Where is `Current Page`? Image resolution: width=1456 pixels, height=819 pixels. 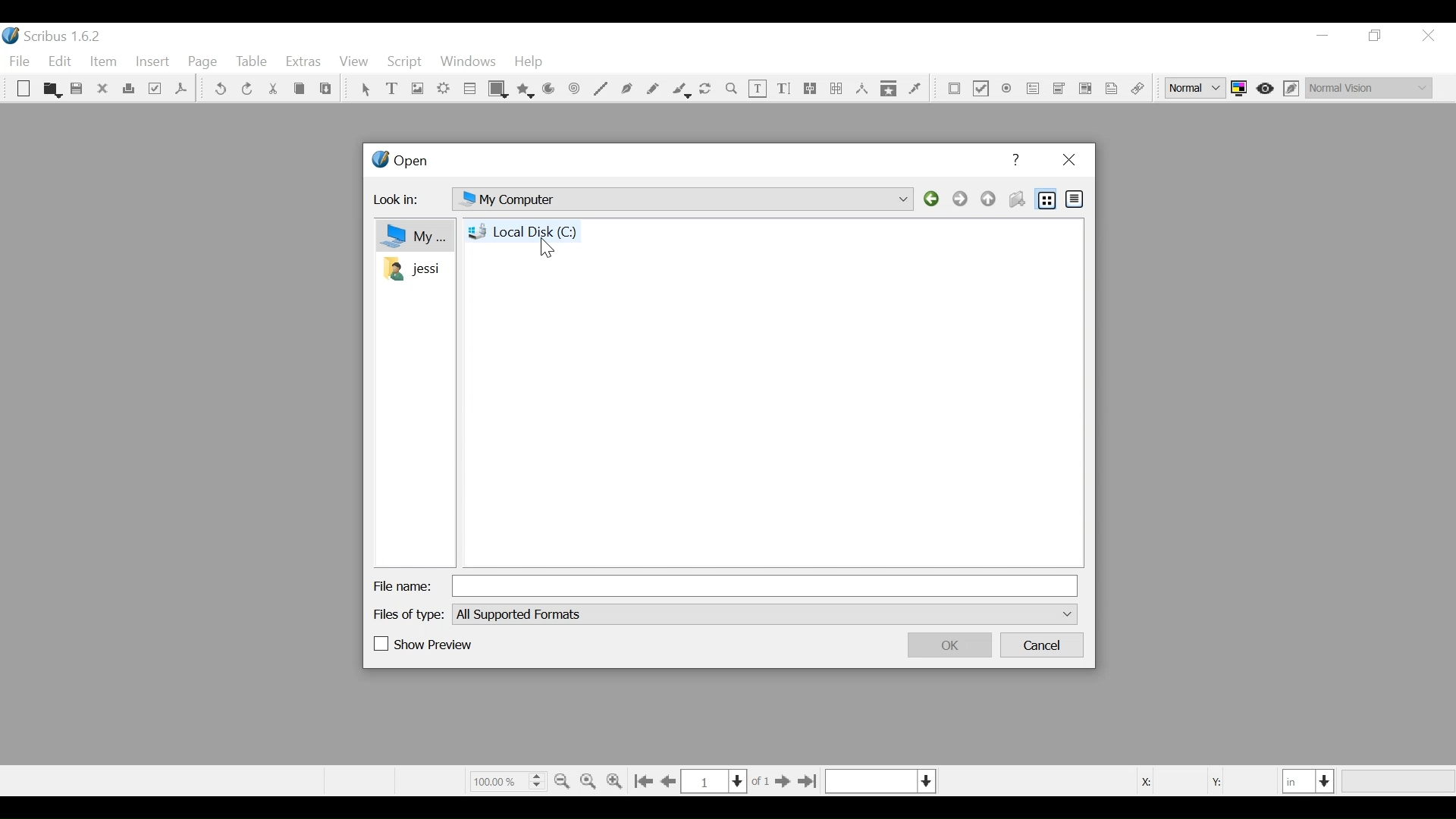 Current Page is located at coordinates (714, 781).